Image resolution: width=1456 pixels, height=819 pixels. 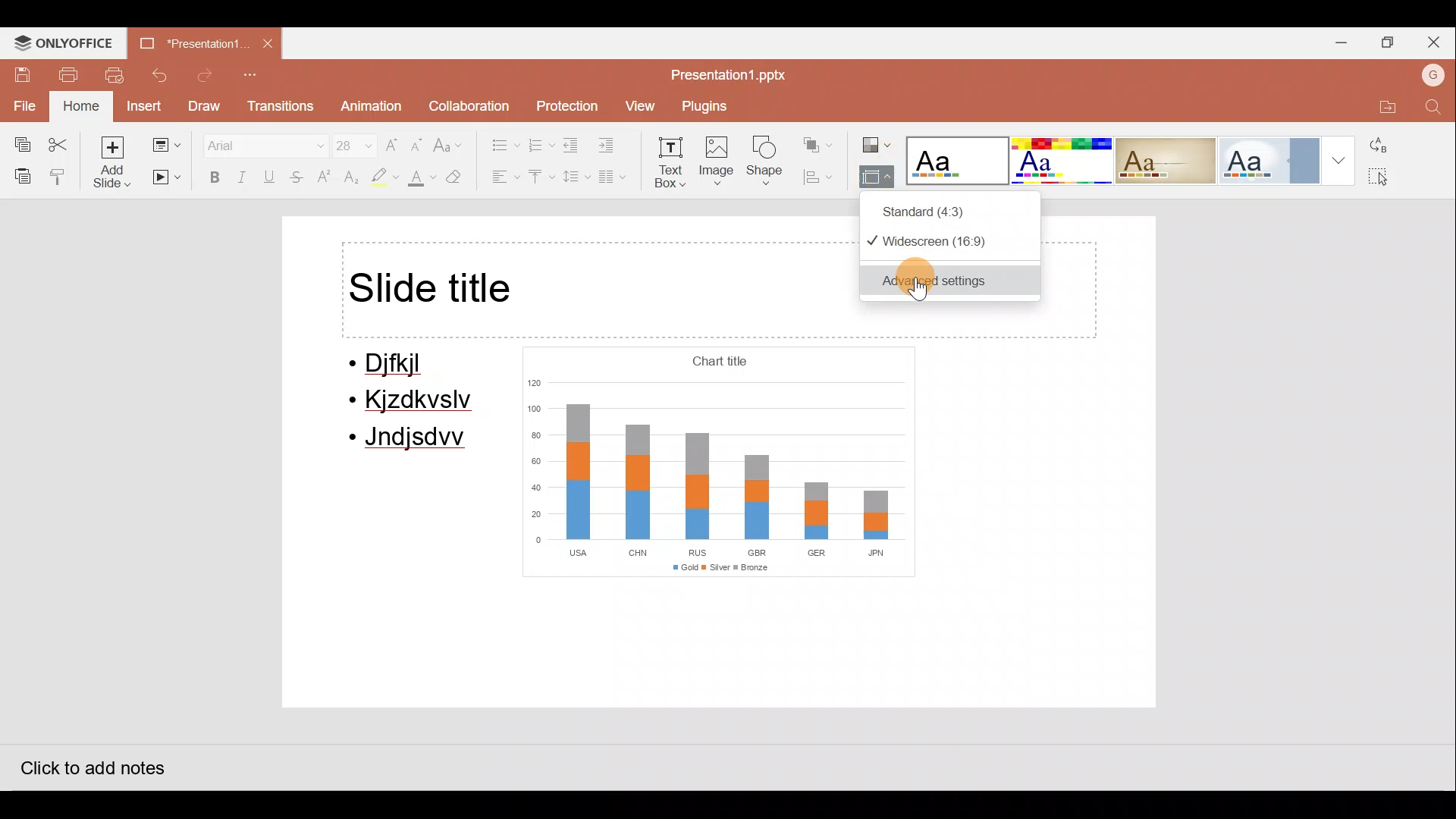 I want to click on Minimize, so click(x=1338, y=40).